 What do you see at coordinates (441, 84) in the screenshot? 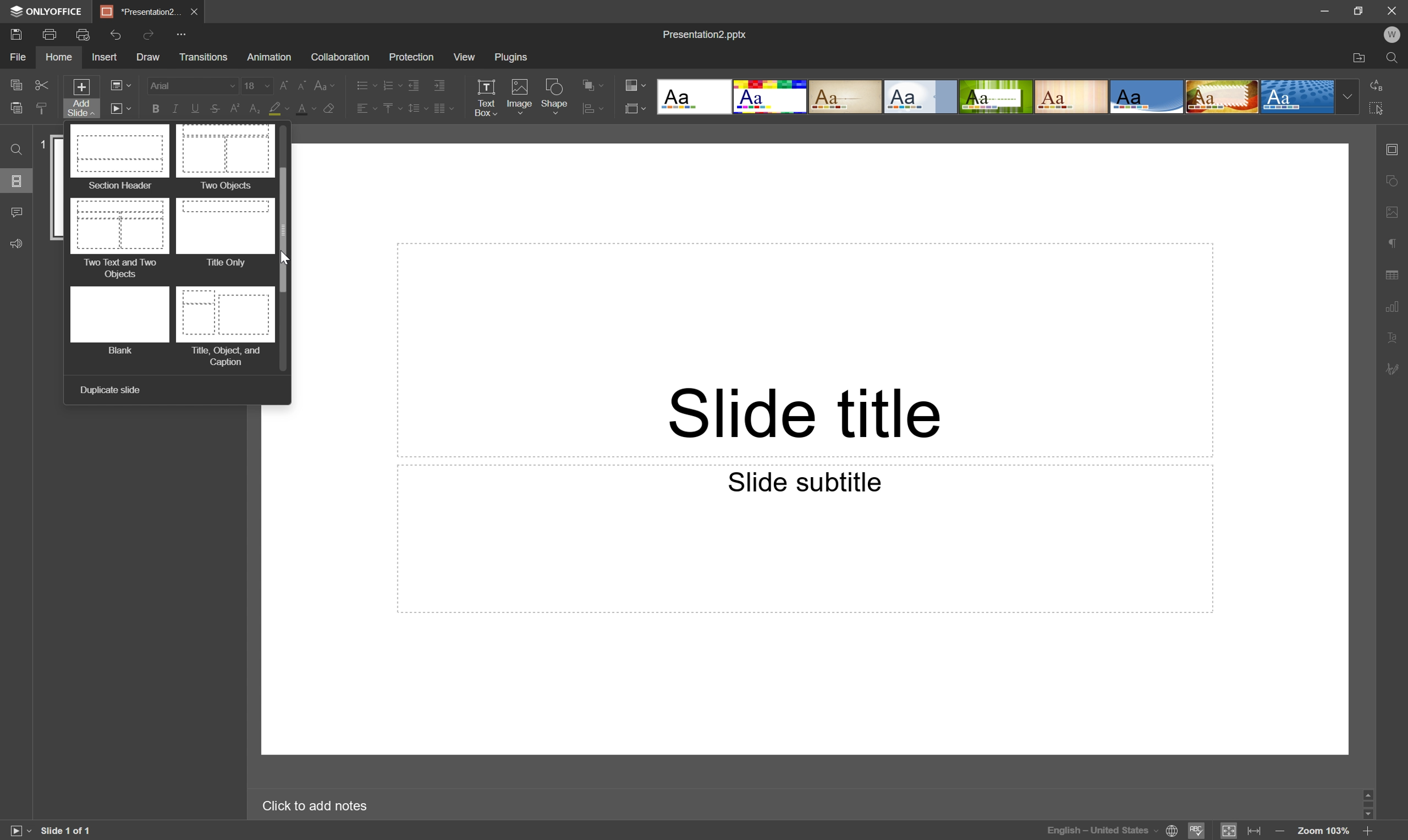
I see `Increase indent` at bounding box center [441, 84].